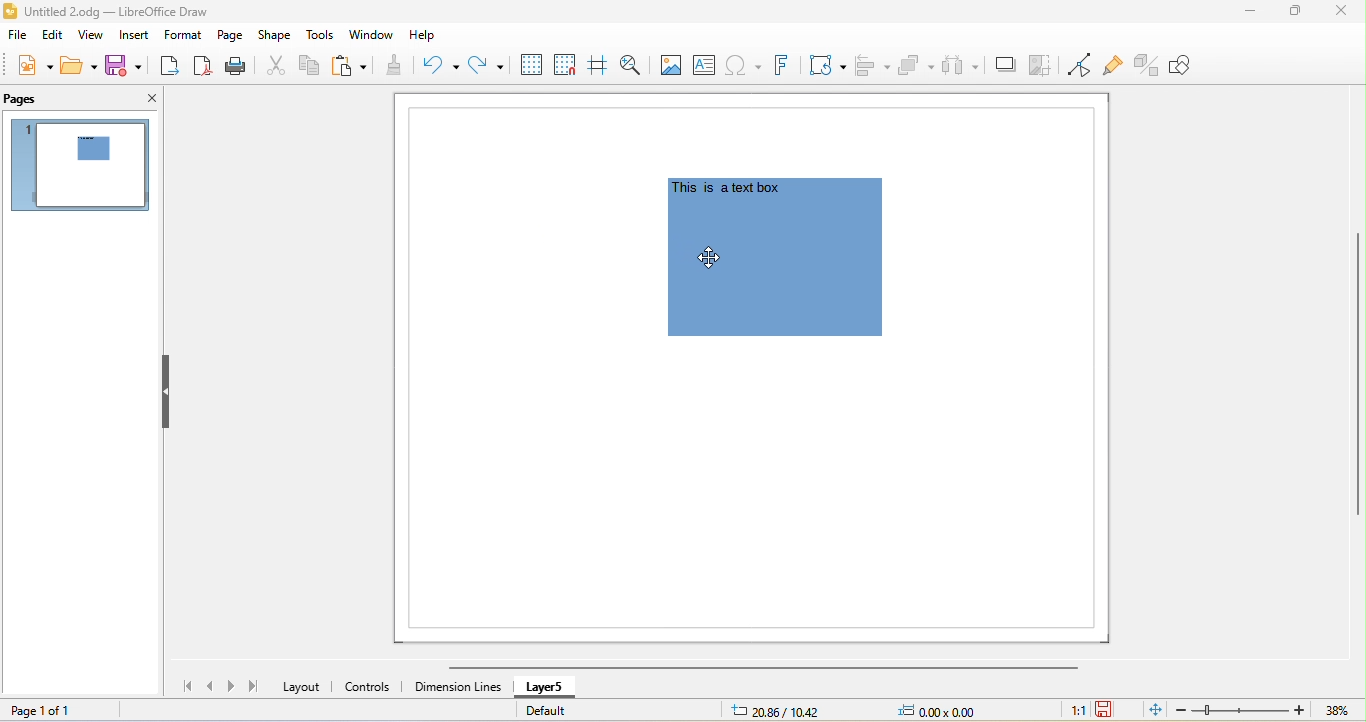 Image resolution: width=1366 pixels, height=722 pixels. What do you see at coordinates (1145, 67) in the screenshot?
I see `toggle extrusion` at bounding box center [1145, 67].